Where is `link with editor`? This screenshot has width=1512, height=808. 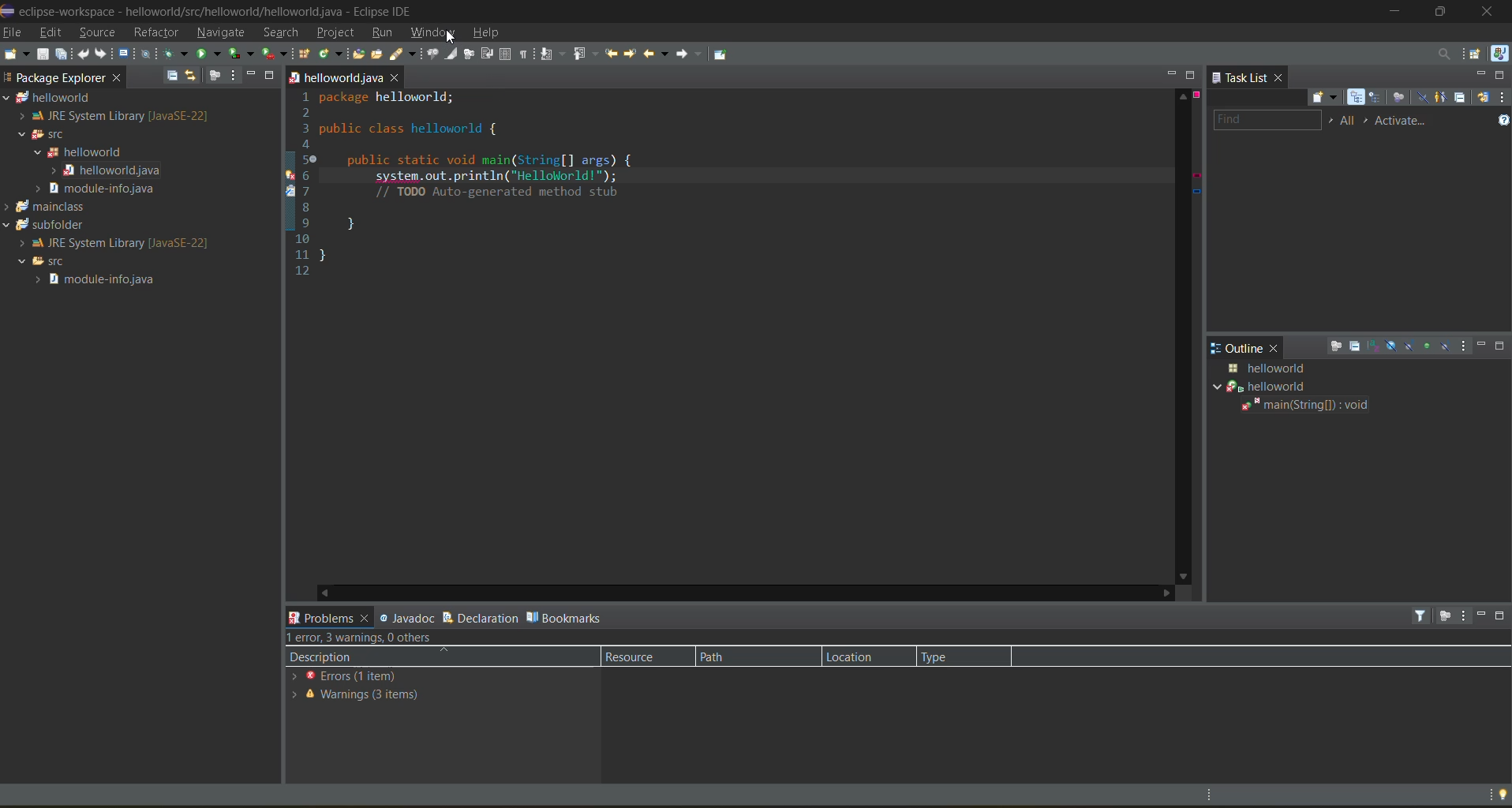 link with editor is located at coordinates (194, 77).